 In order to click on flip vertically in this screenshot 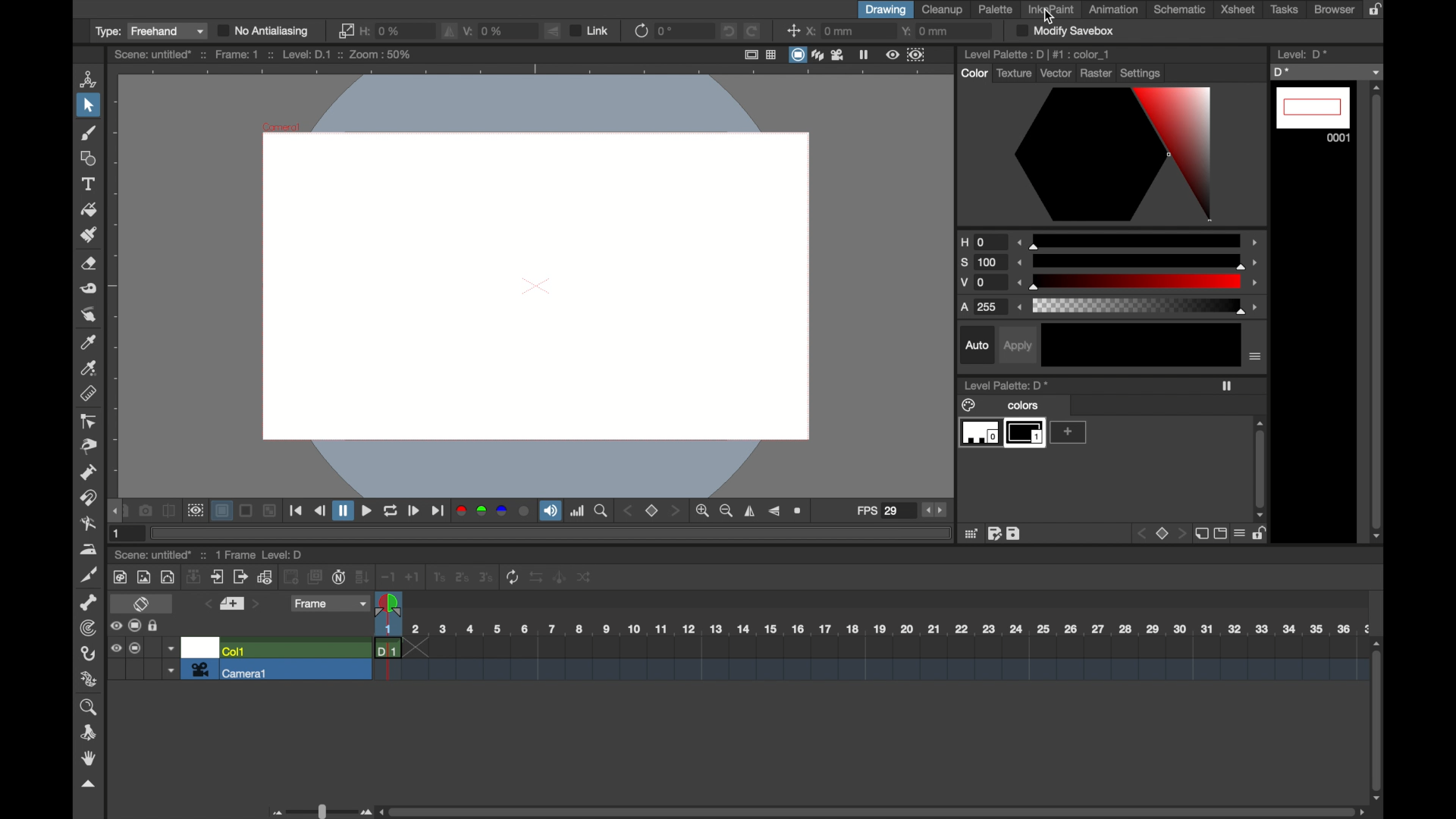, I will do `click(774, 512)`.